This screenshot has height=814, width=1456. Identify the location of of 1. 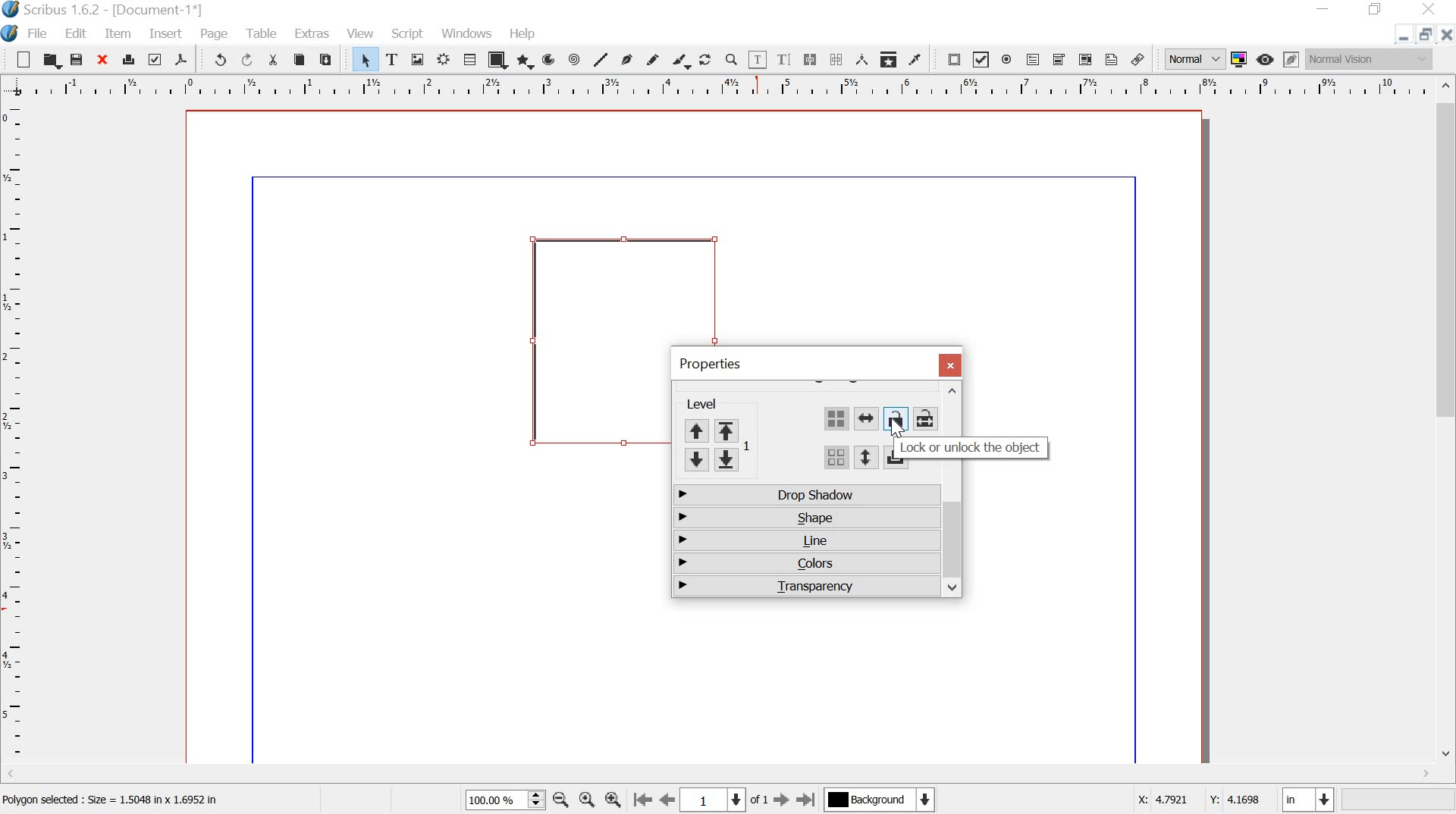
(760, 803).